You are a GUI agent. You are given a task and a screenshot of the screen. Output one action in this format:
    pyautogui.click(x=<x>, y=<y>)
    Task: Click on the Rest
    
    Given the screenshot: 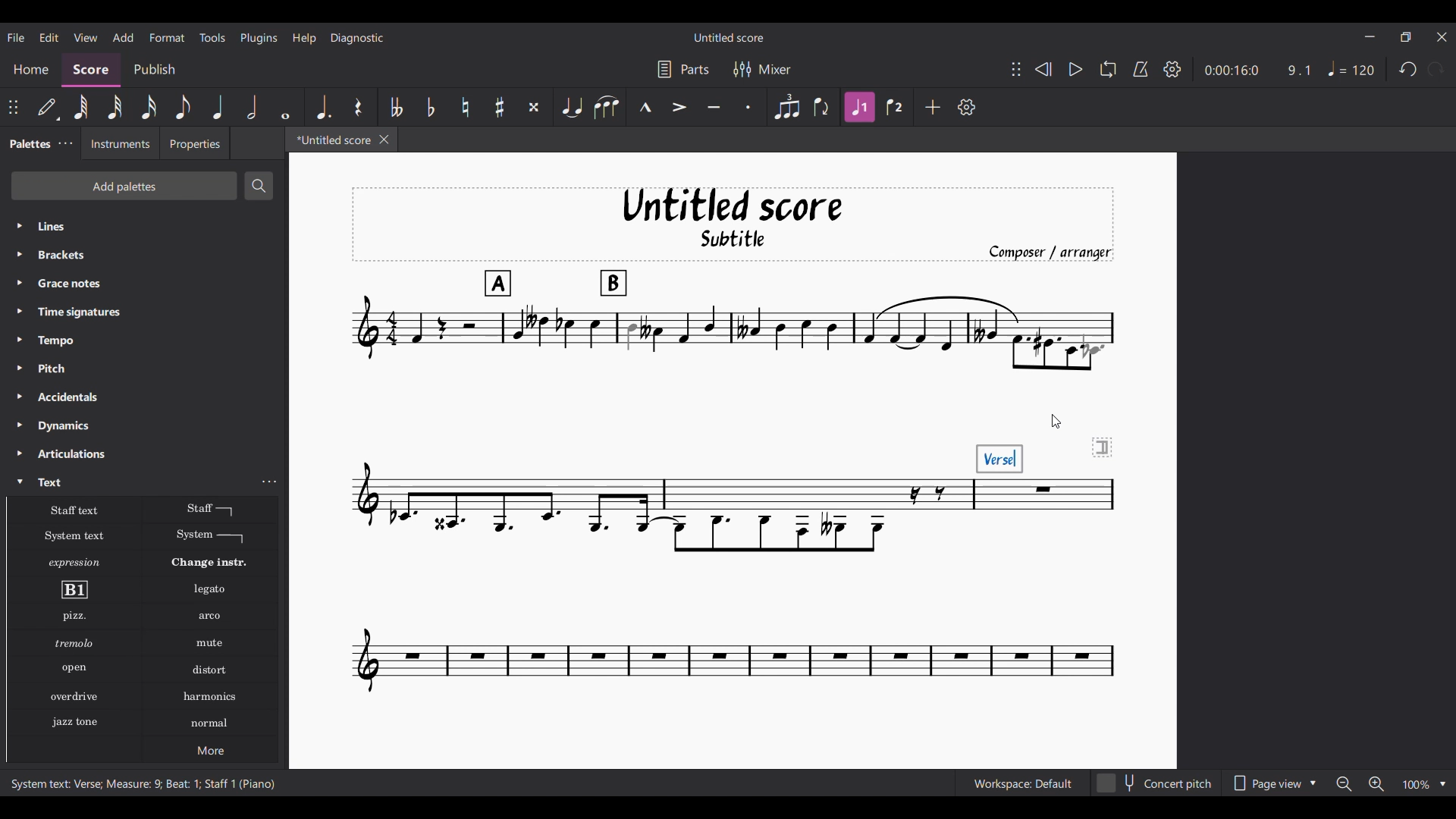 What is the action you would take?
    pyautogui.click(x=359, y=107)
    